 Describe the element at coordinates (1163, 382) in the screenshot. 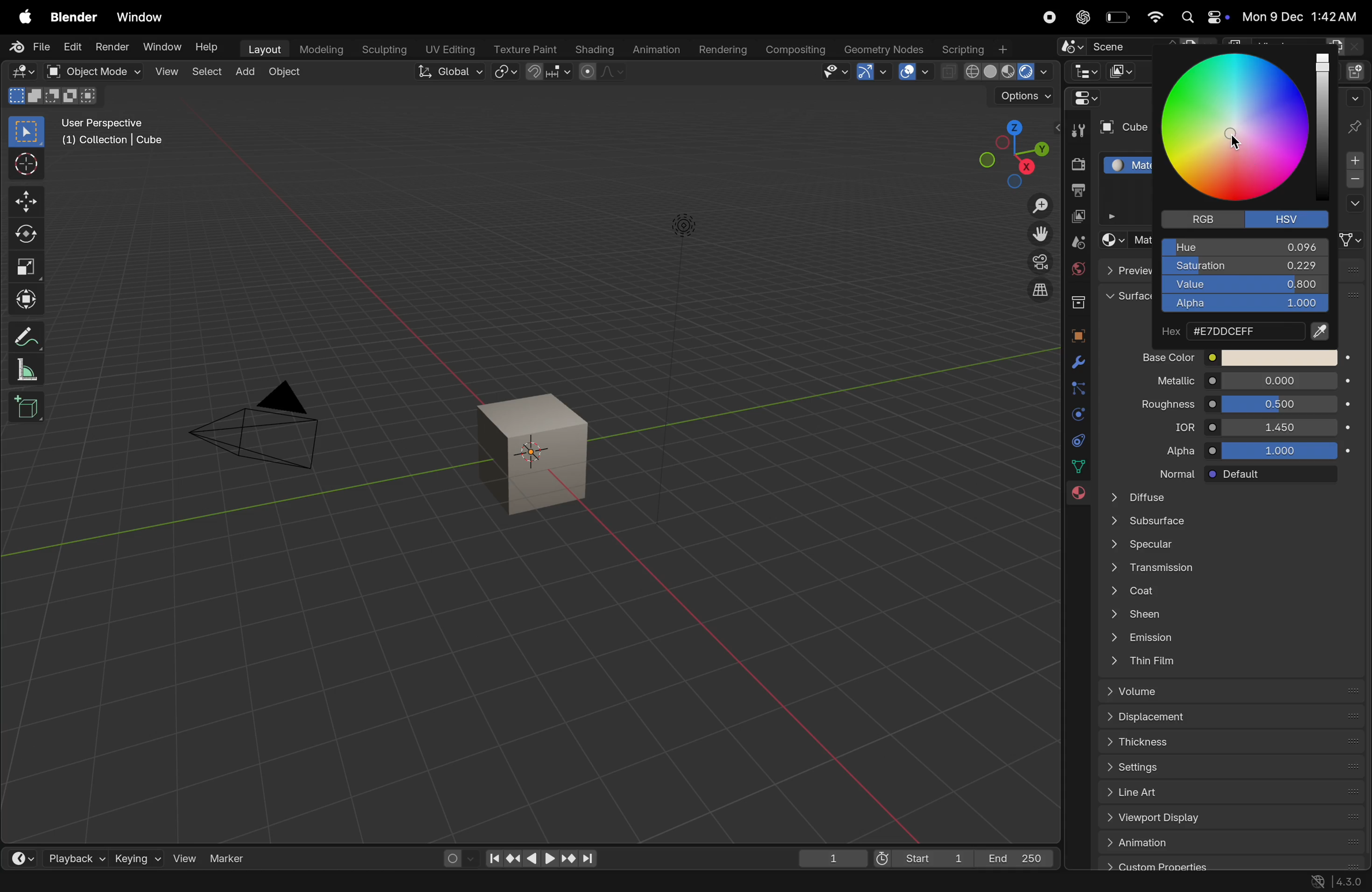

I see `metallic` at that location.